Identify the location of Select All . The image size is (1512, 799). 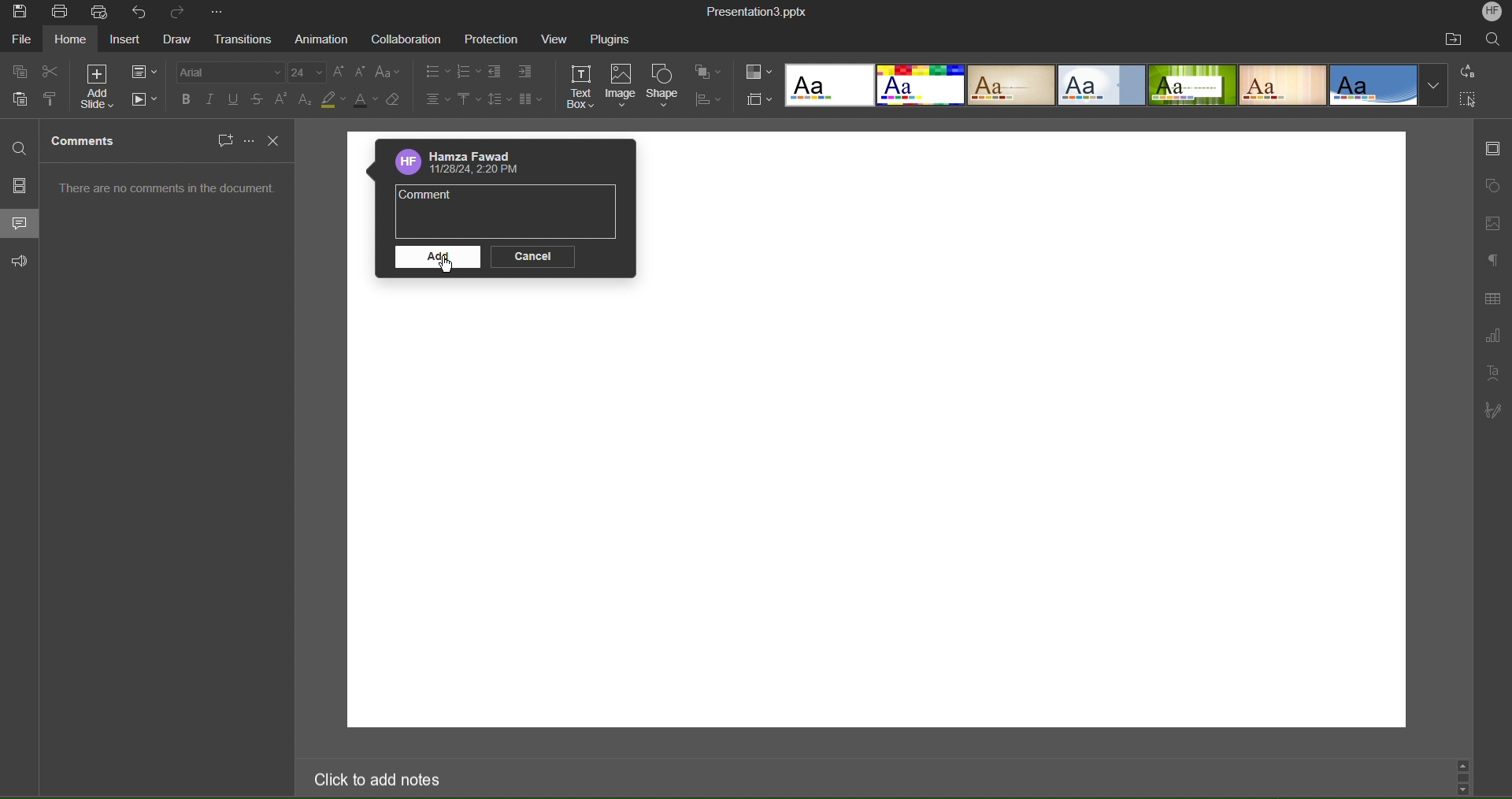
(1469, 100).